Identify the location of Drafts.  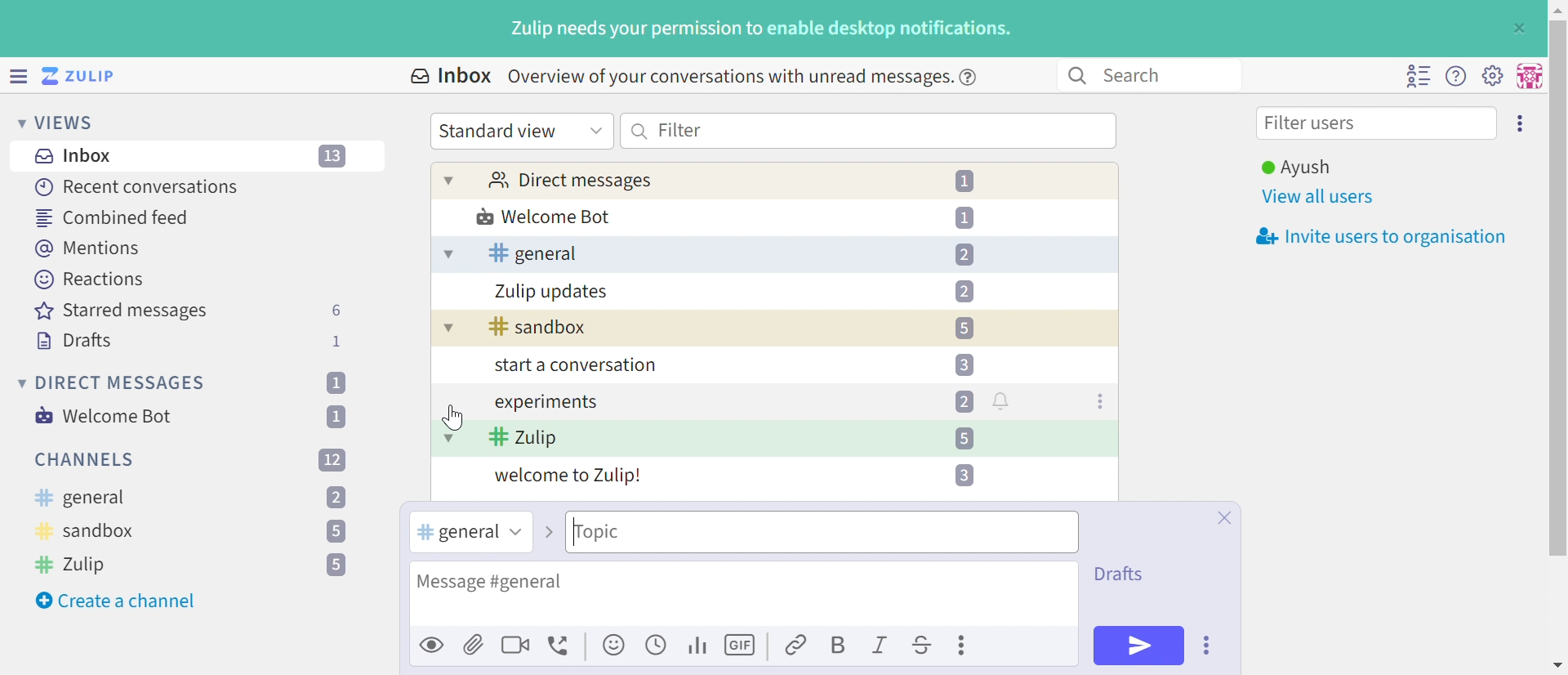
(1123, 572).